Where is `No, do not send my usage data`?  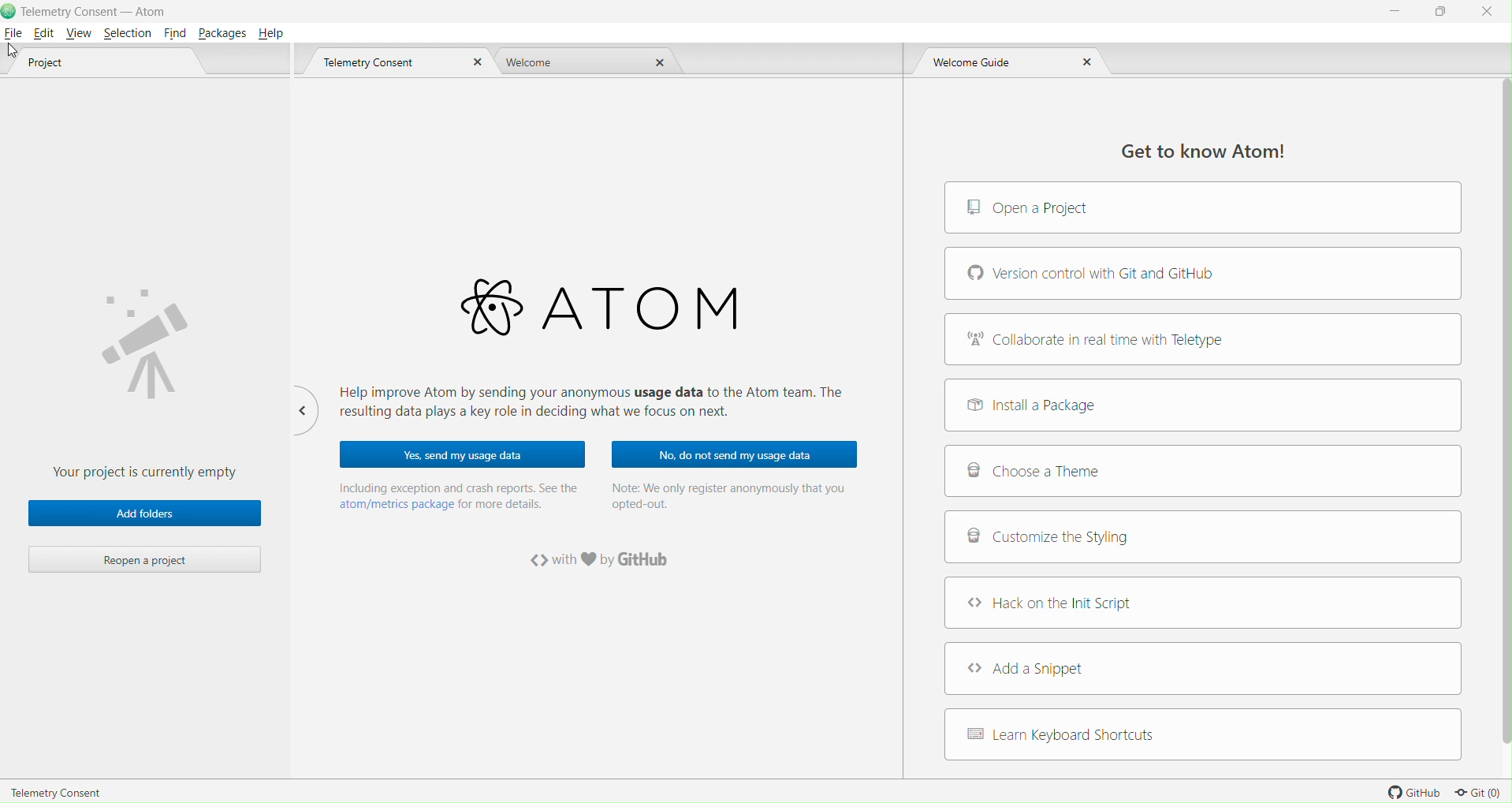
No, do not send my usage data is located at coordinates (732, 455).